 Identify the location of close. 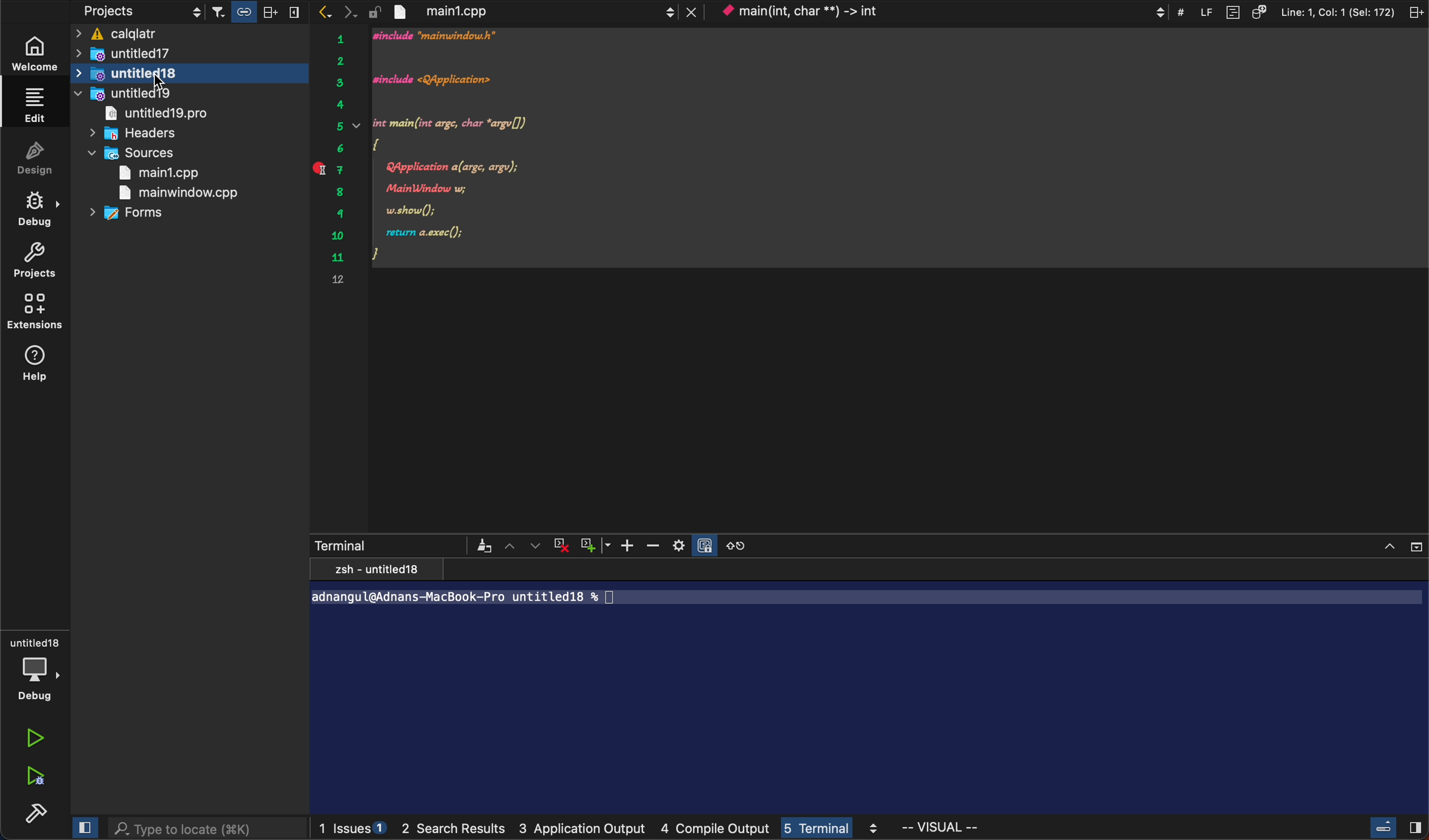
(1398, 544).